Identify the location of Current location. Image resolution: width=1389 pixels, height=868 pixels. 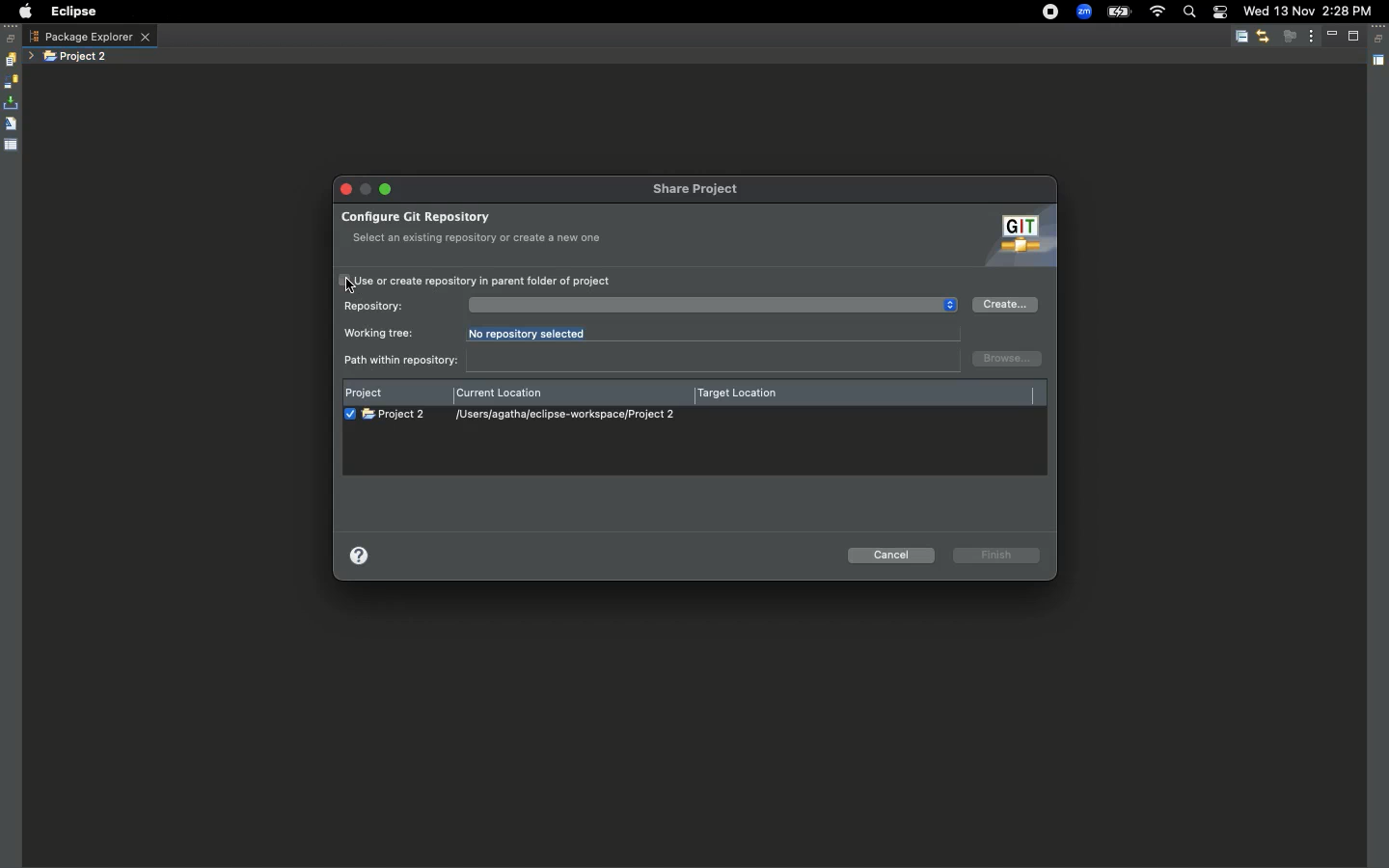
(503, 395).